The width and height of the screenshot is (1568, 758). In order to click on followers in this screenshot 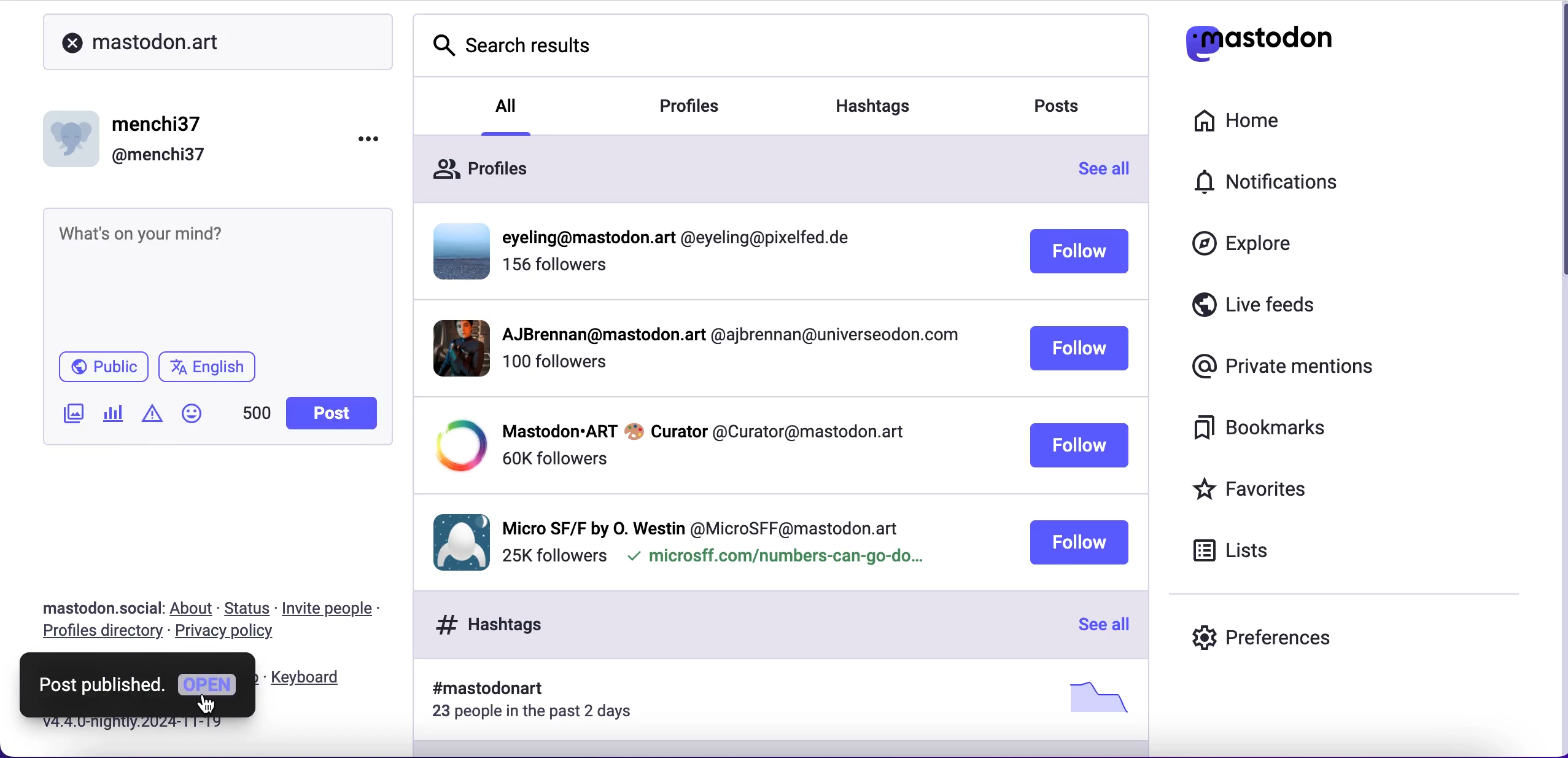, I will do `click(553, 557)`.